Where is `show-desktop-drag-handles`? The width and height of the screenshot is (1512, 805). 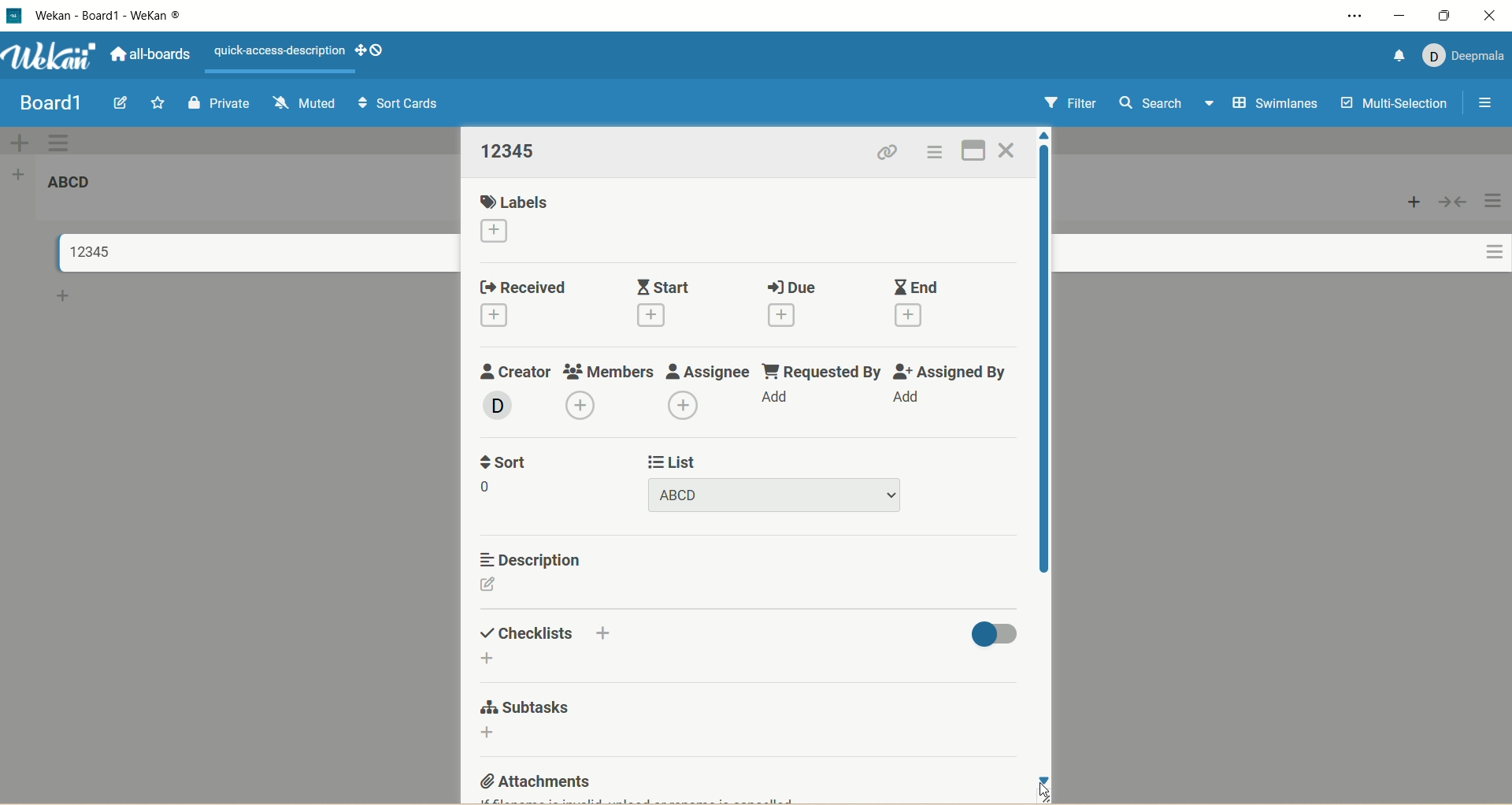
show-desktop-drag-handles is located at coordinates (380, 50).